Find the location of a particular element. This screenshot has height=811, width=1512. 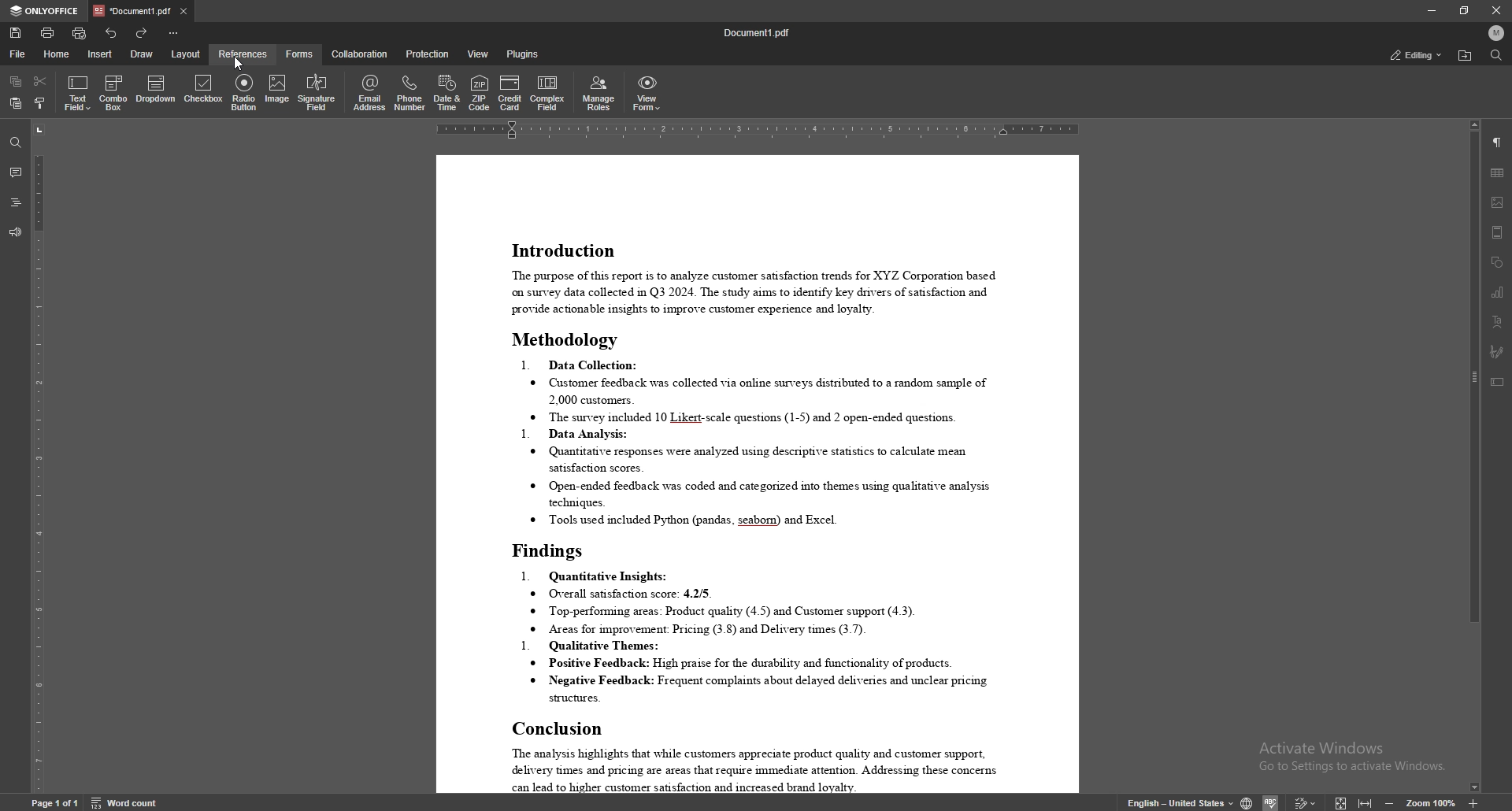

references is located at coordinates (243, 54).